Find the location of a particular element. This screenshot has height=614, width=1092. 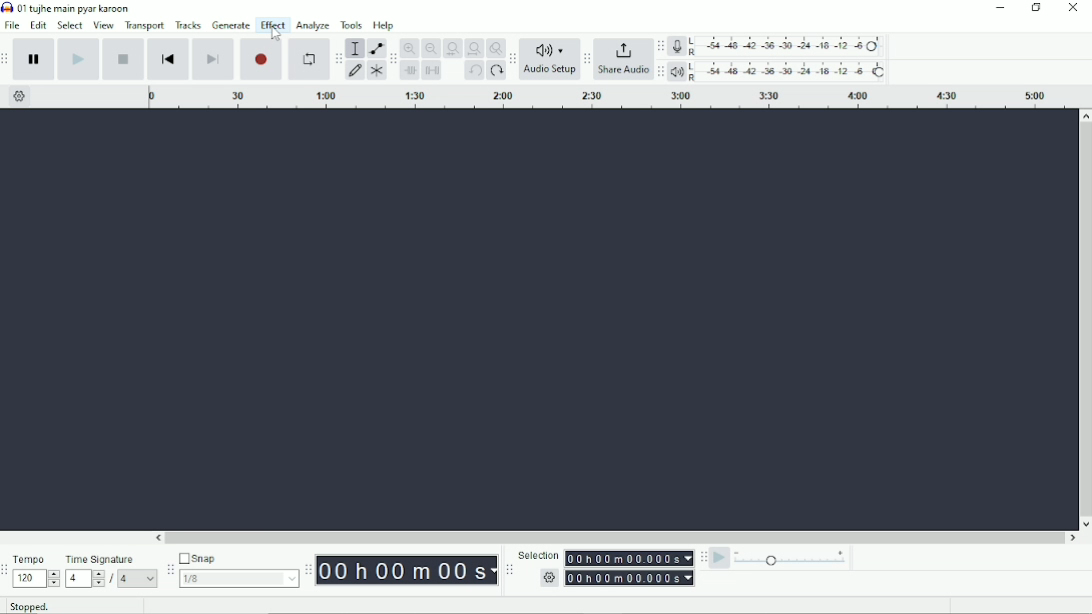

Selection tool is located at coordinates (355, 48).